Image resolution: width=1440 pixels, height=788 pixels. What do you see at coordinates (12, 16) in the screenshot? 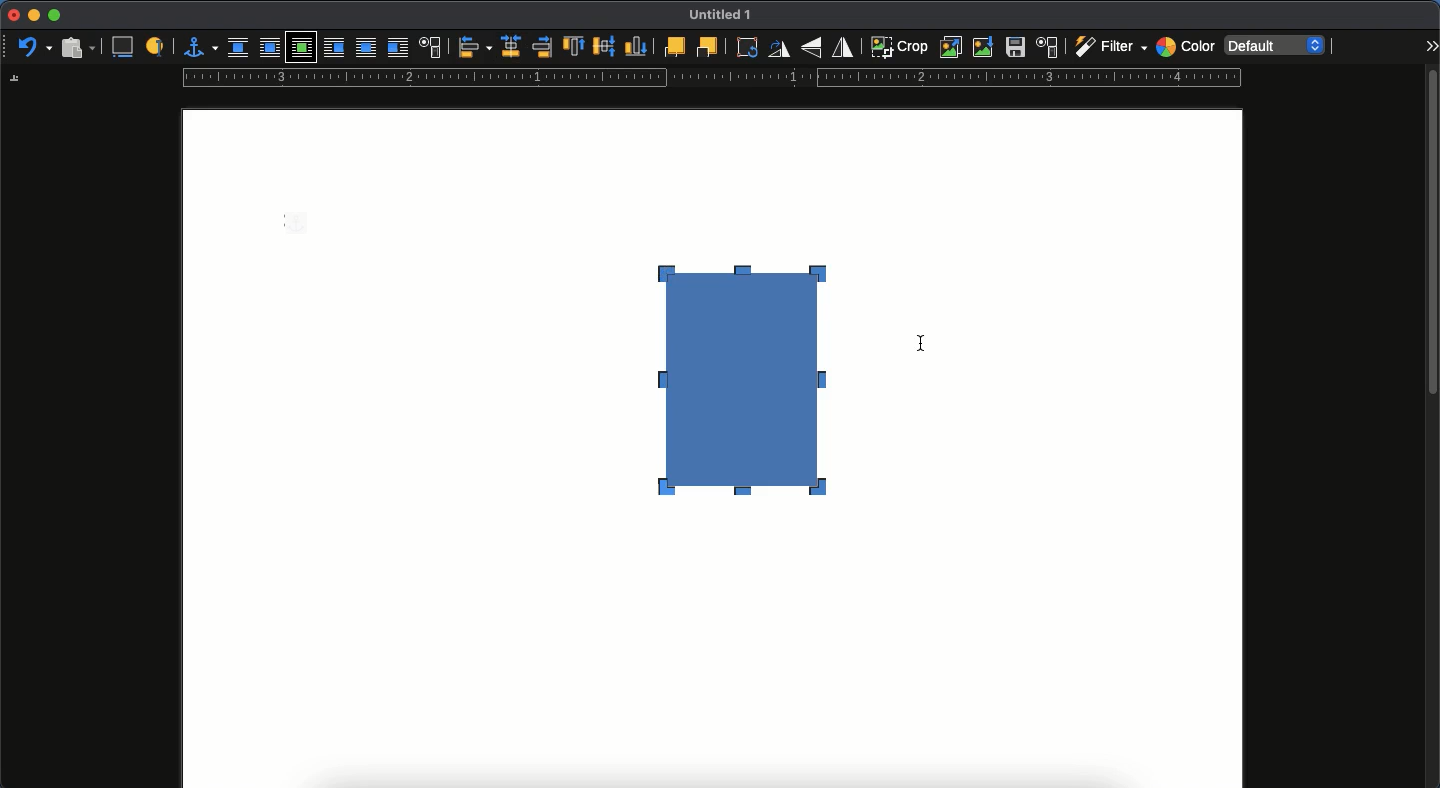
I see `close` at bounding box center [12, 16].